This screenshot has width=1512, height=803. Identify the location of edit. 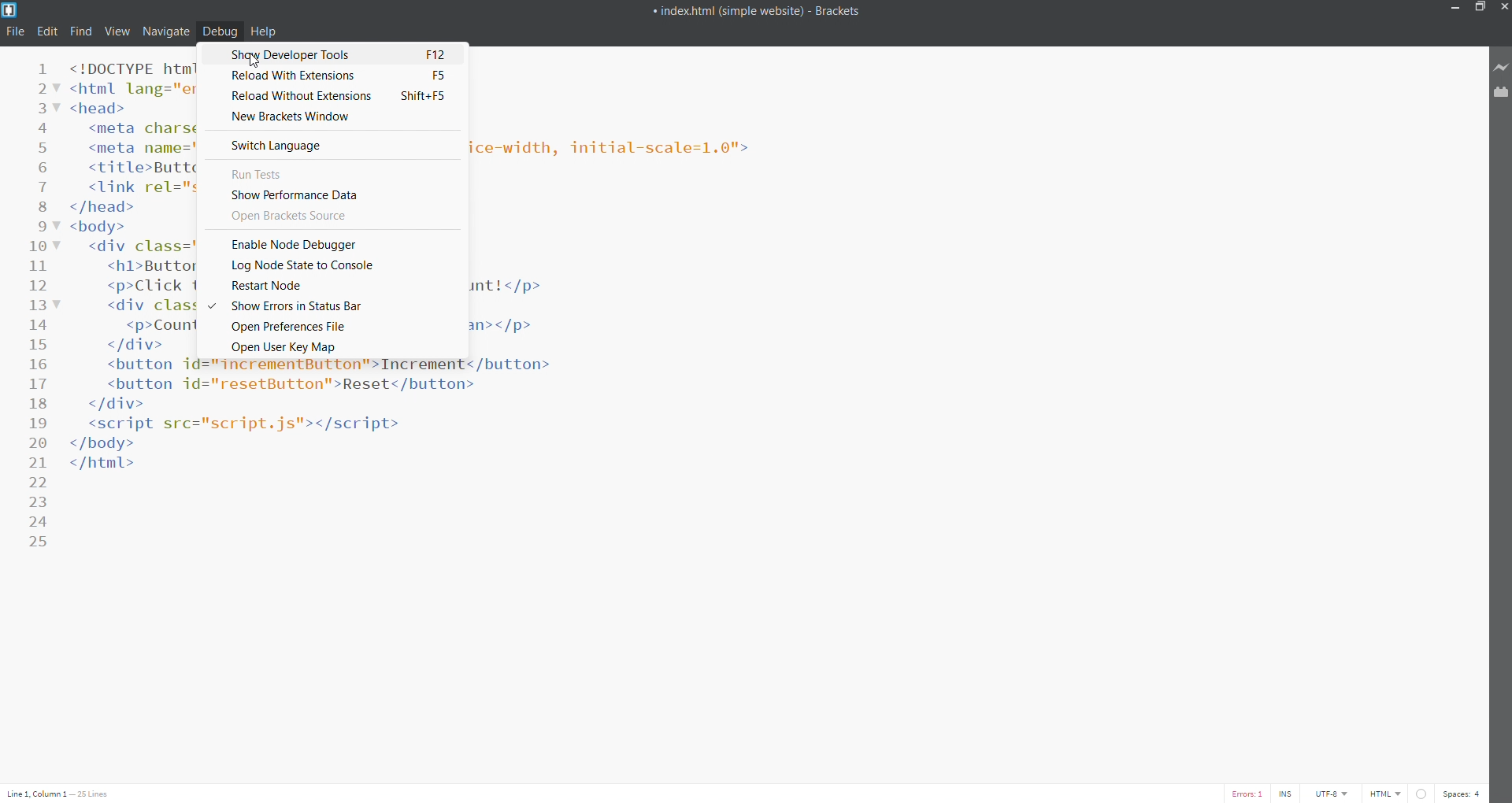
(47, 32).